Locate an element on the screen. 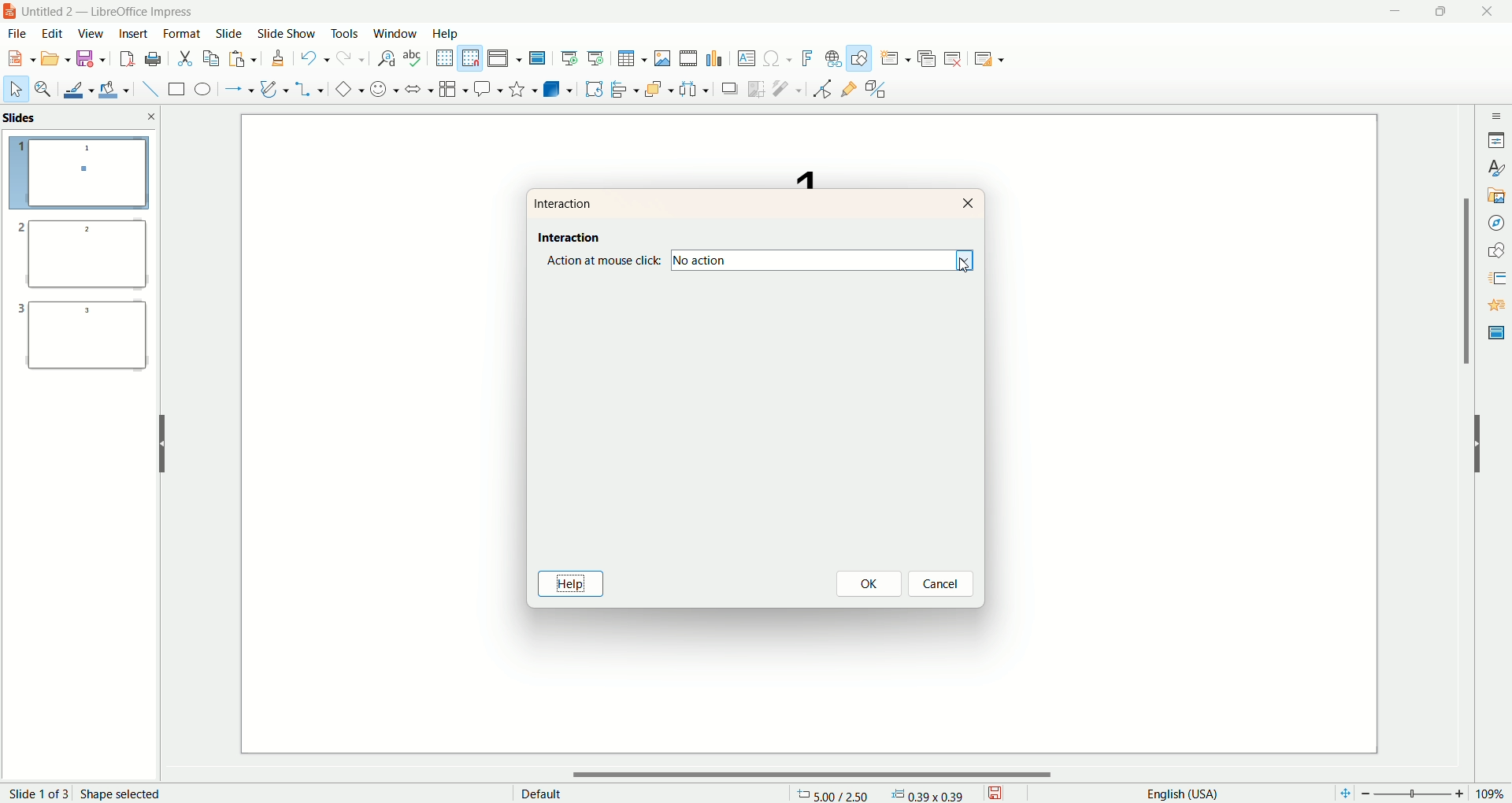  start from current slide is located at coordinates (596, 56).